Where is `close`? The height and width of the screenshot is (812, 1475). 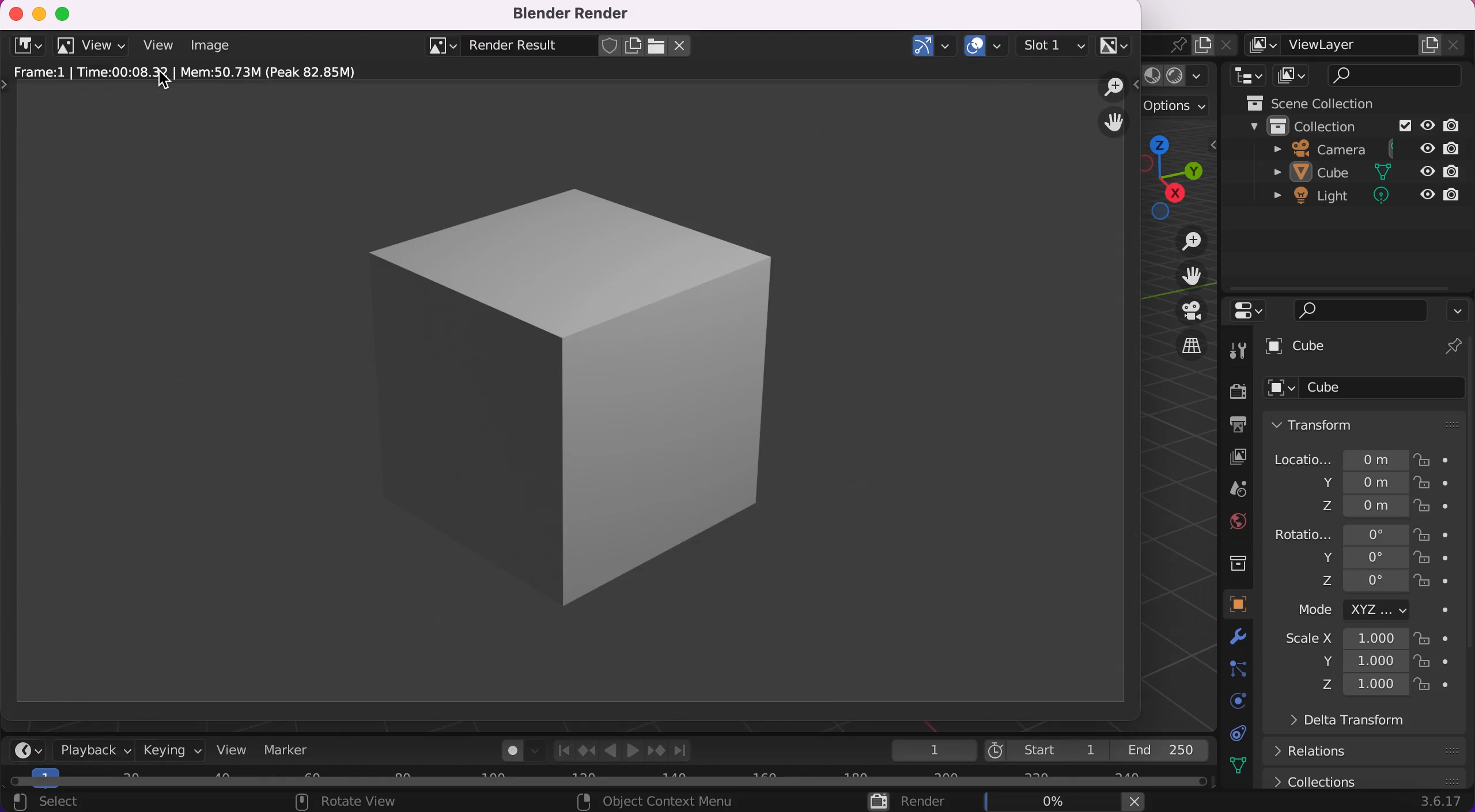 close is located at coordinates (689, 48).